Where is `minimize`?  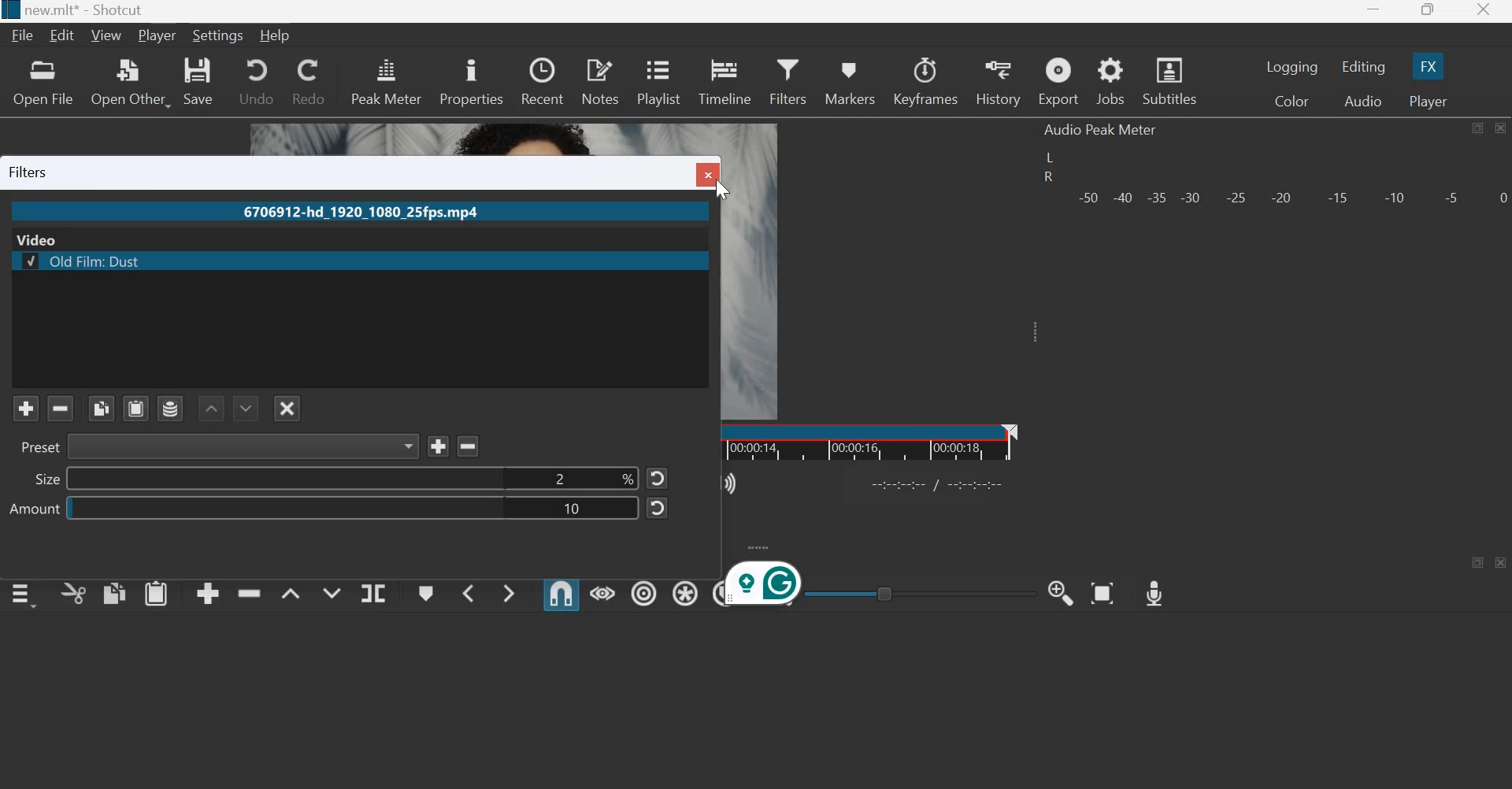 minimize is located at coordinates (1373, 13).